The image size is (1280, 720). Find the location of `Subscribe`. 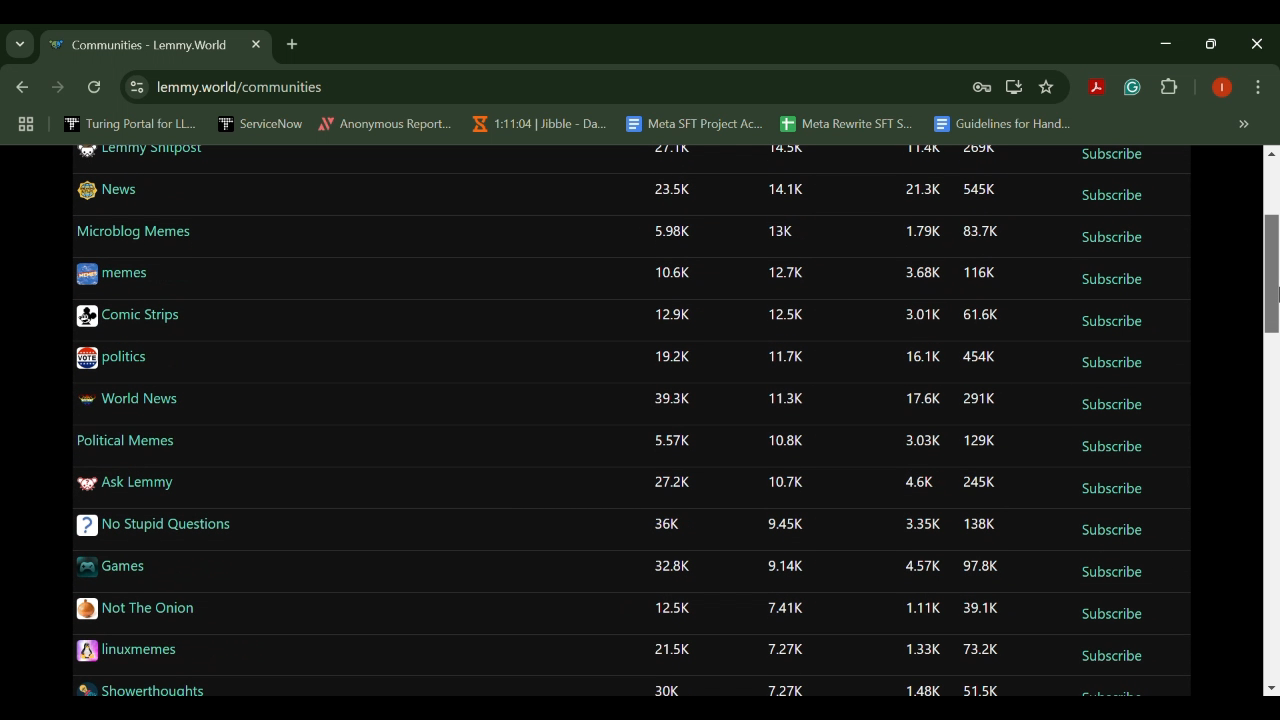

Subscribe is located at coordinates (1114, 573).